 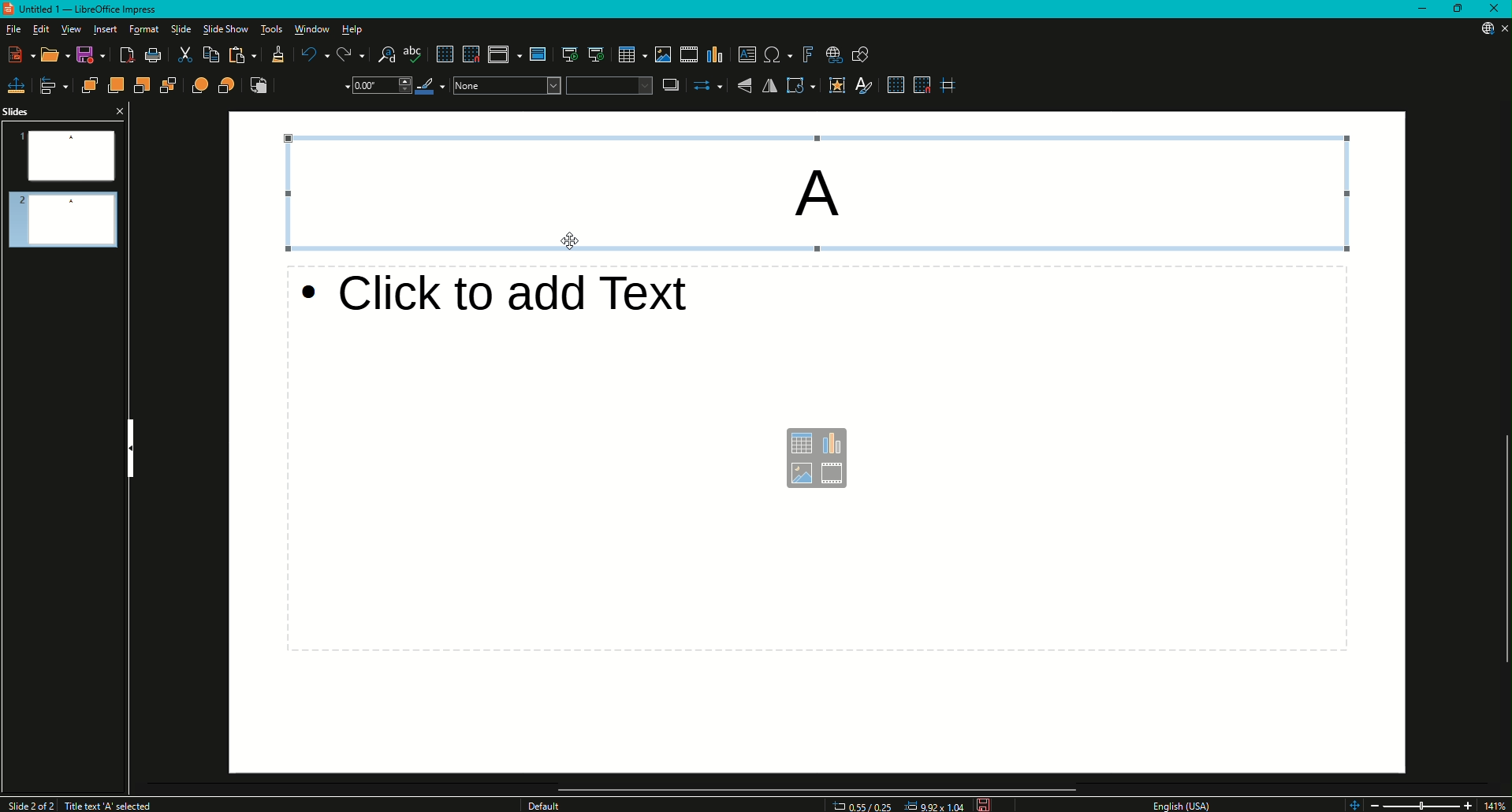 I want to click on Paste, so click(x=240, y=57).